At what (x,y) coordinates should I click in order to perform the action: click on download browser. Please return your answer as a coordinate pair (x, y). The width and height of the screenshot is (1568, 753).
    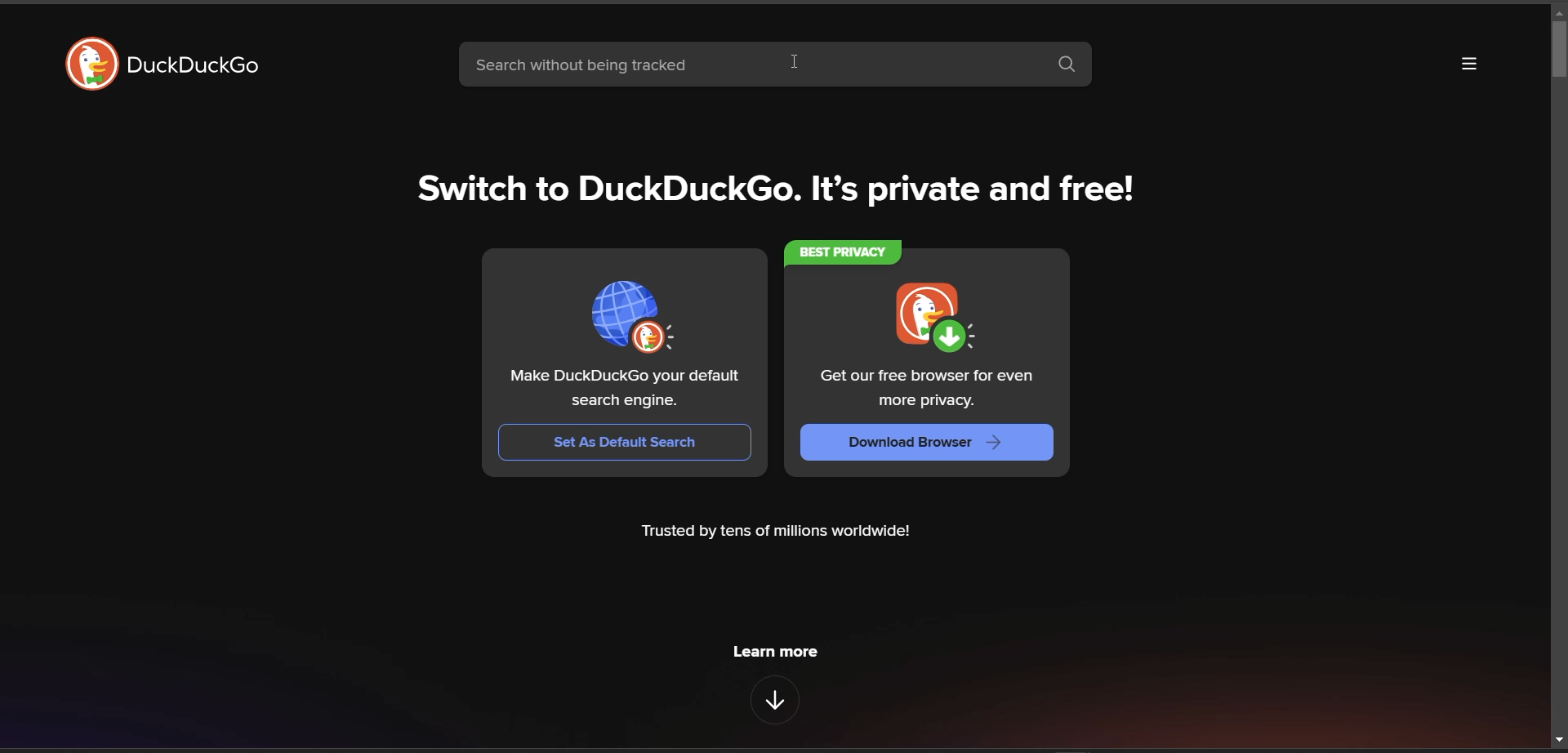
    Looking at the image, I should click on (929, 440).